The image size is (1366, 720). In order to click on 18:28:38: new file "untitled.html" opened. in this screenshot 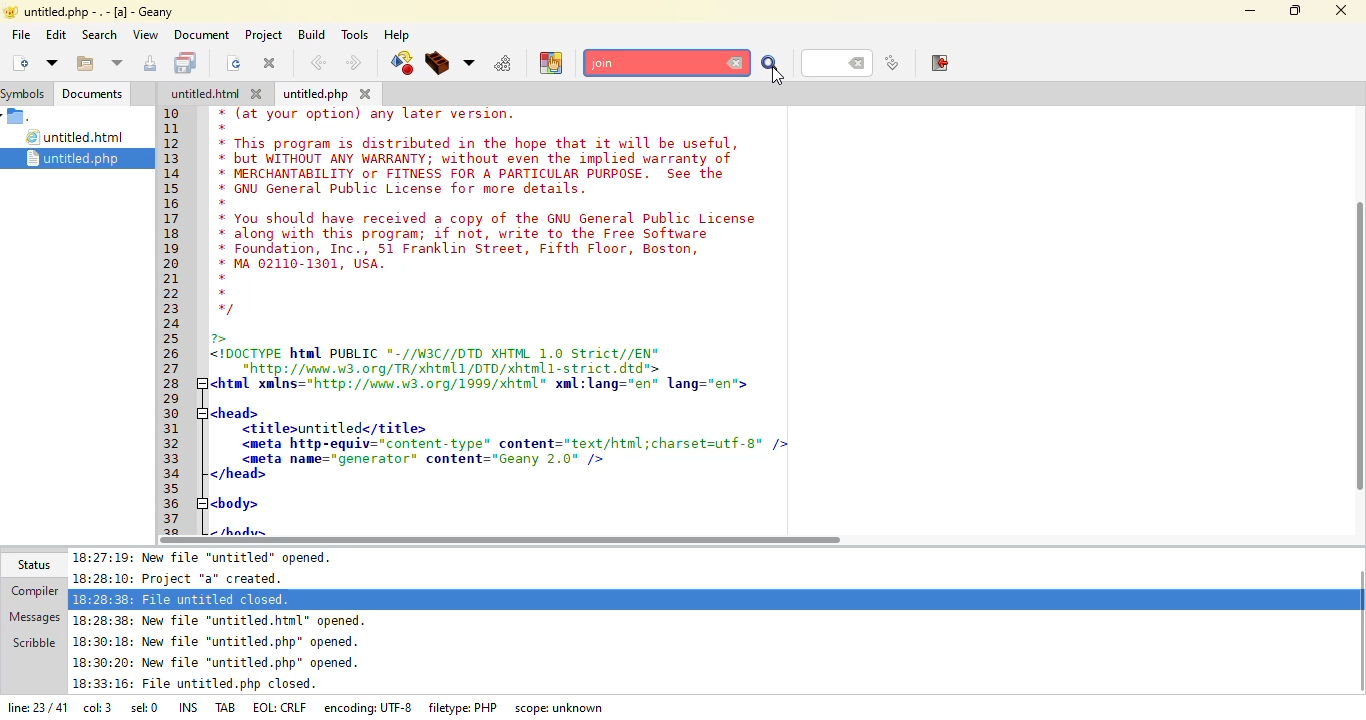, I will do `click(225, 620)`.